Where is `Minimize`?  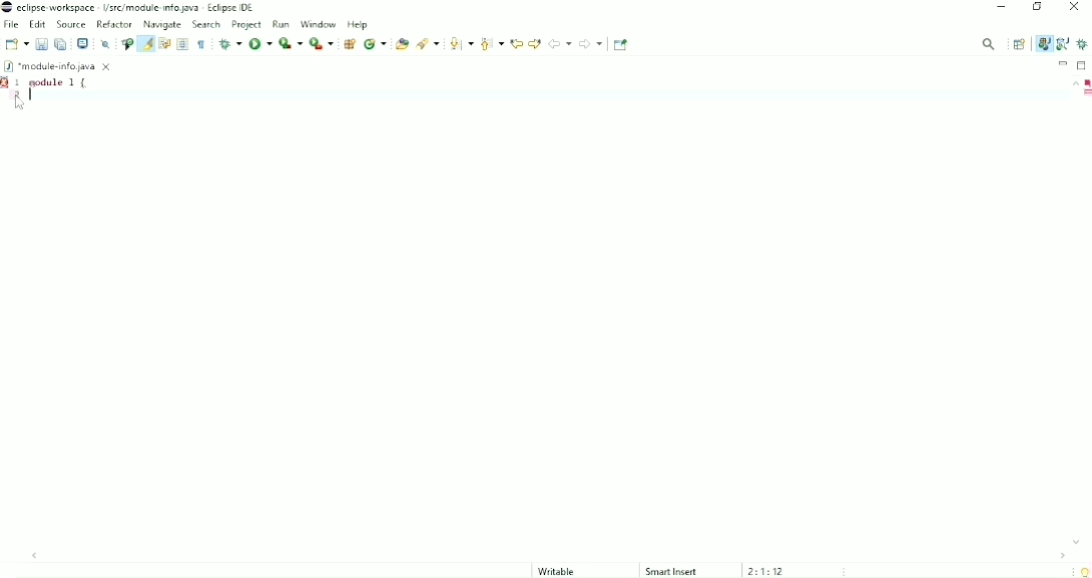
Minimize is located at coordinates (1063, 63).